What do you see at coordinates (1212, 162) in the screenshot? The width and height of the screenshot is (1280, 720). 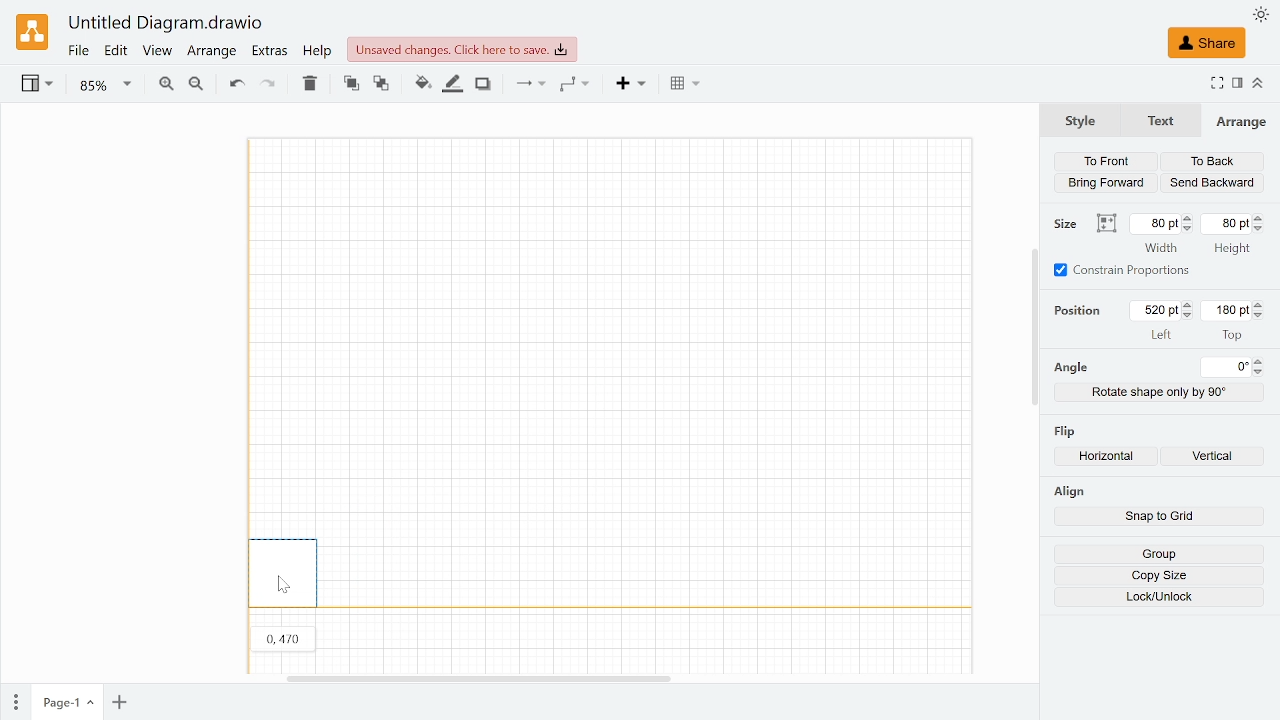 I see `To back` at bounding box center [1212, 162].